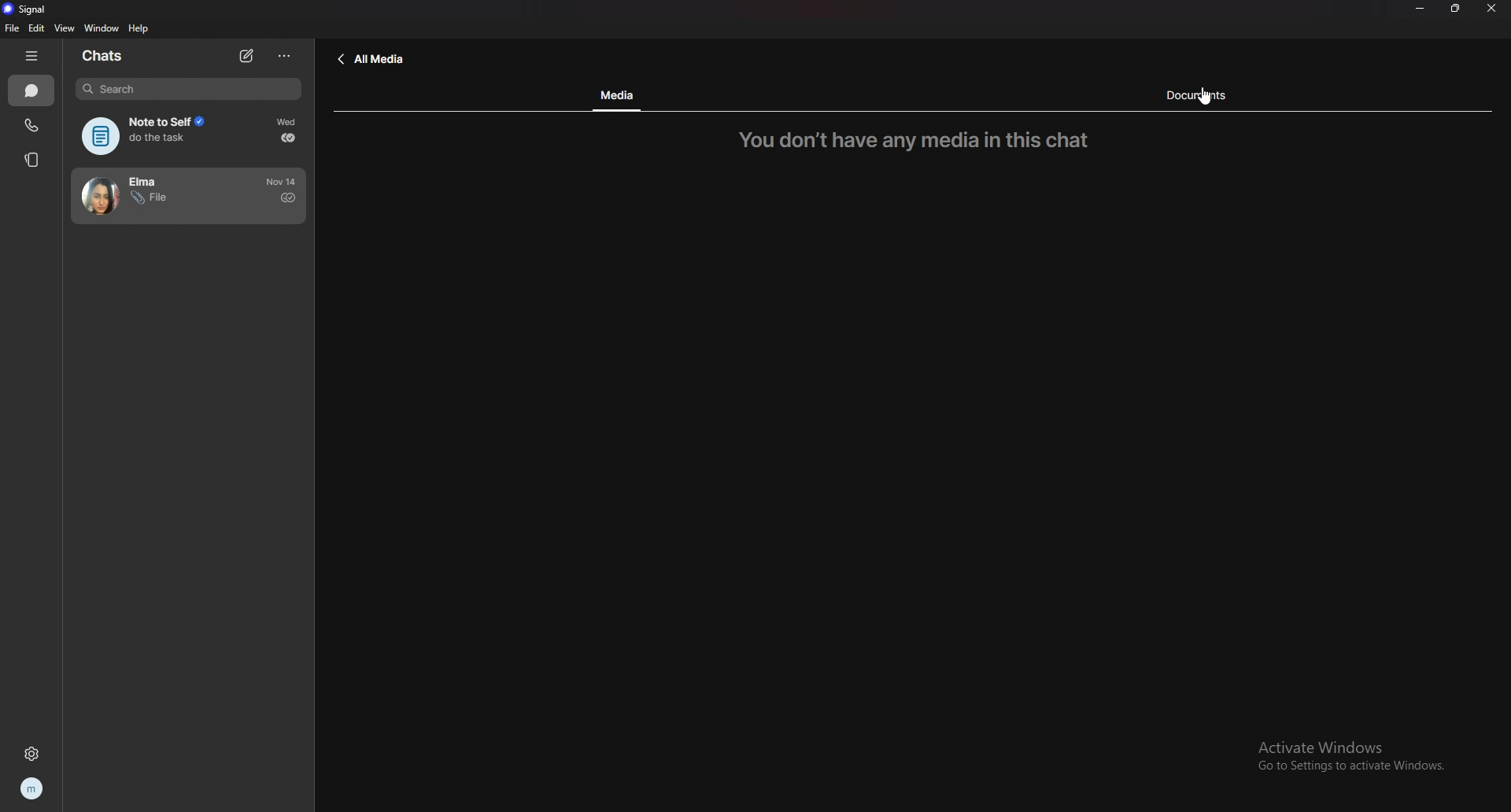  What do you see at coordinates (246, 56) in the screenshot?
I see `new chat` at bounding box center [246, 56].